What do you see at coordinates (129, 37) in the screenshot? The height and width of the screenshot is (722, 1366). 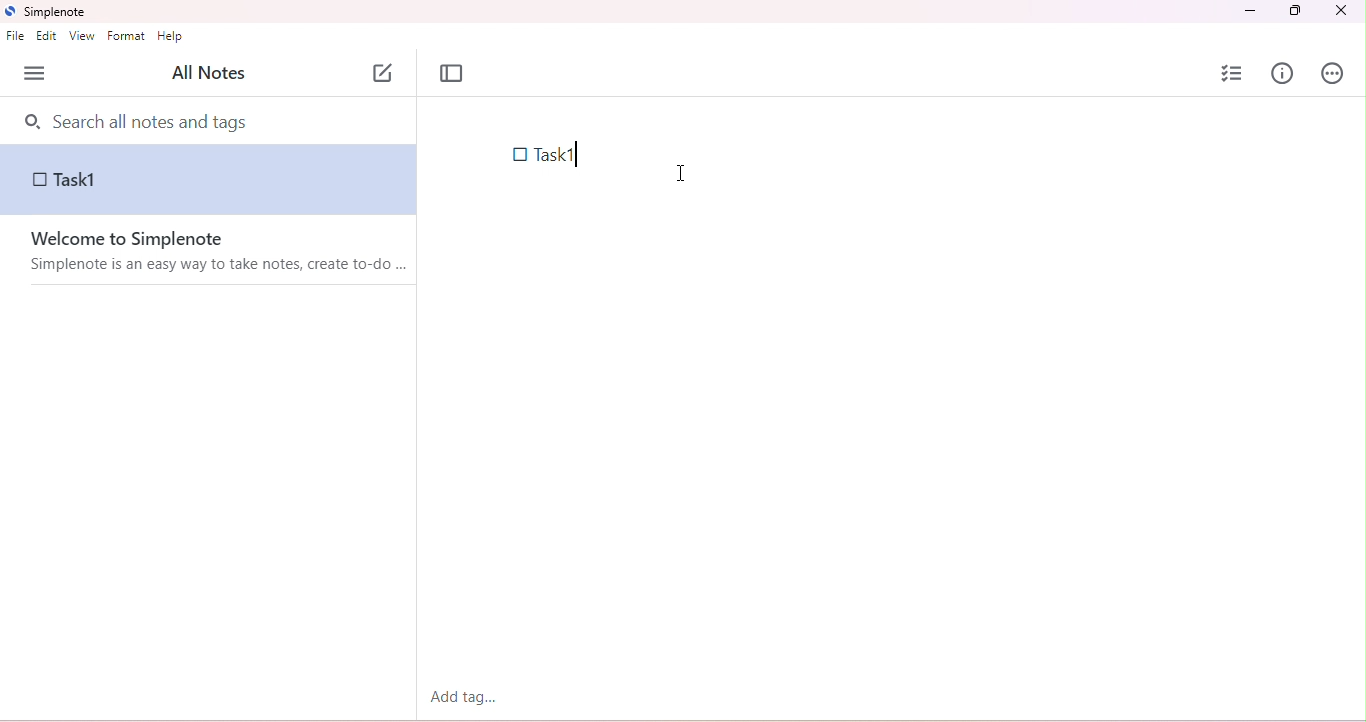 I see `format` at bounding box center [129, 37].